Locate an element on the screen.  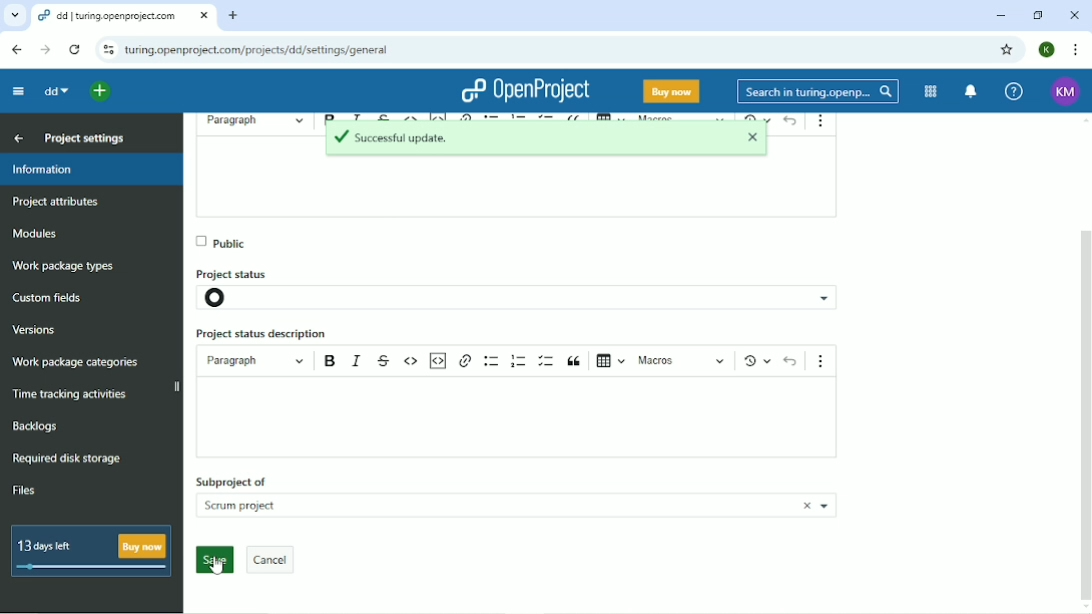
Project attributes is located at coordinates (57, 204).